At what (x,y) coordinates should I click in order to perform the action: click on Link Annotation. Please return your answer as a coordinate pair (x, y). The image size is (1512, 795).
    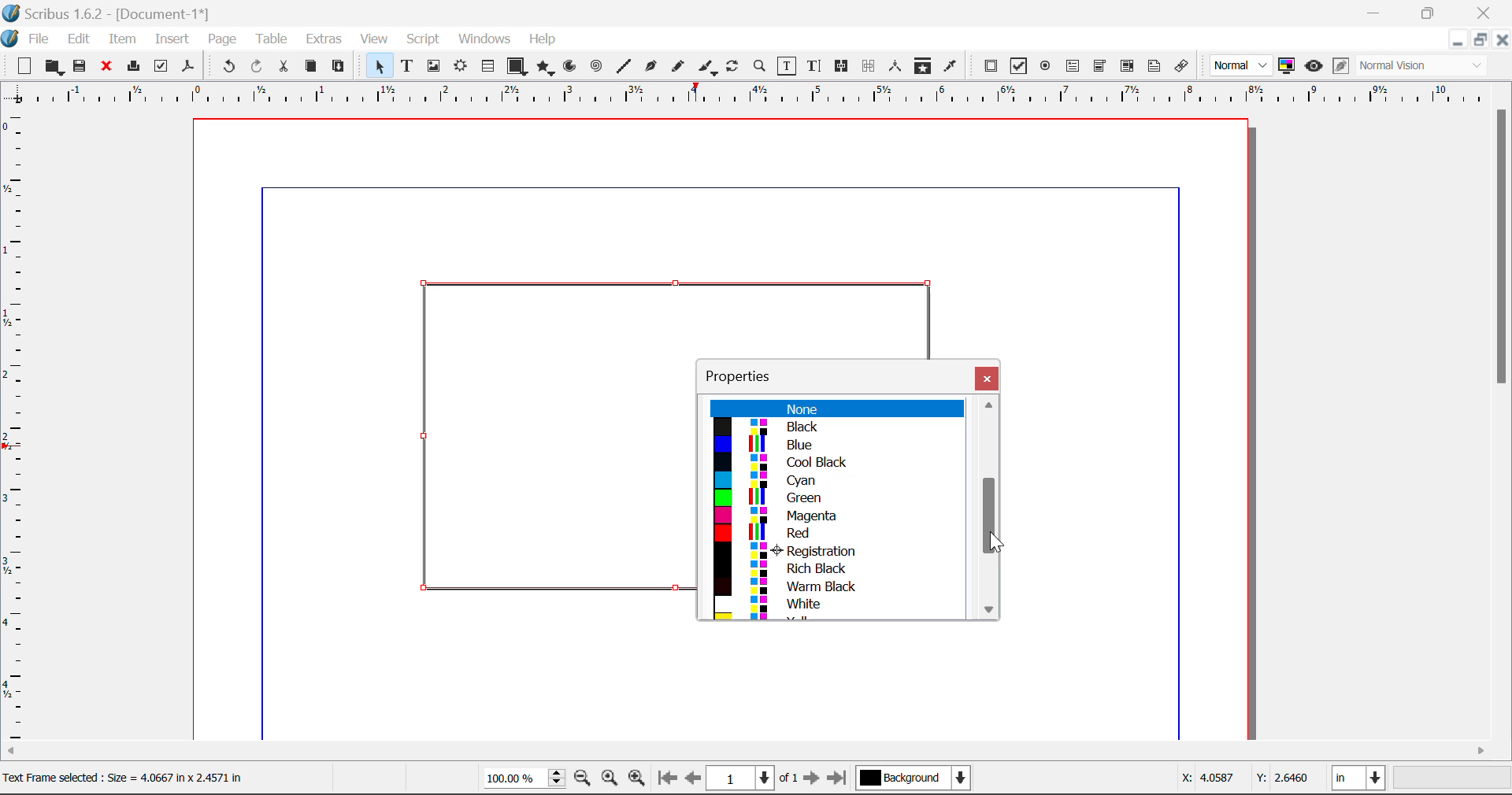
    Looking at the image, I should click on (1180, 66).